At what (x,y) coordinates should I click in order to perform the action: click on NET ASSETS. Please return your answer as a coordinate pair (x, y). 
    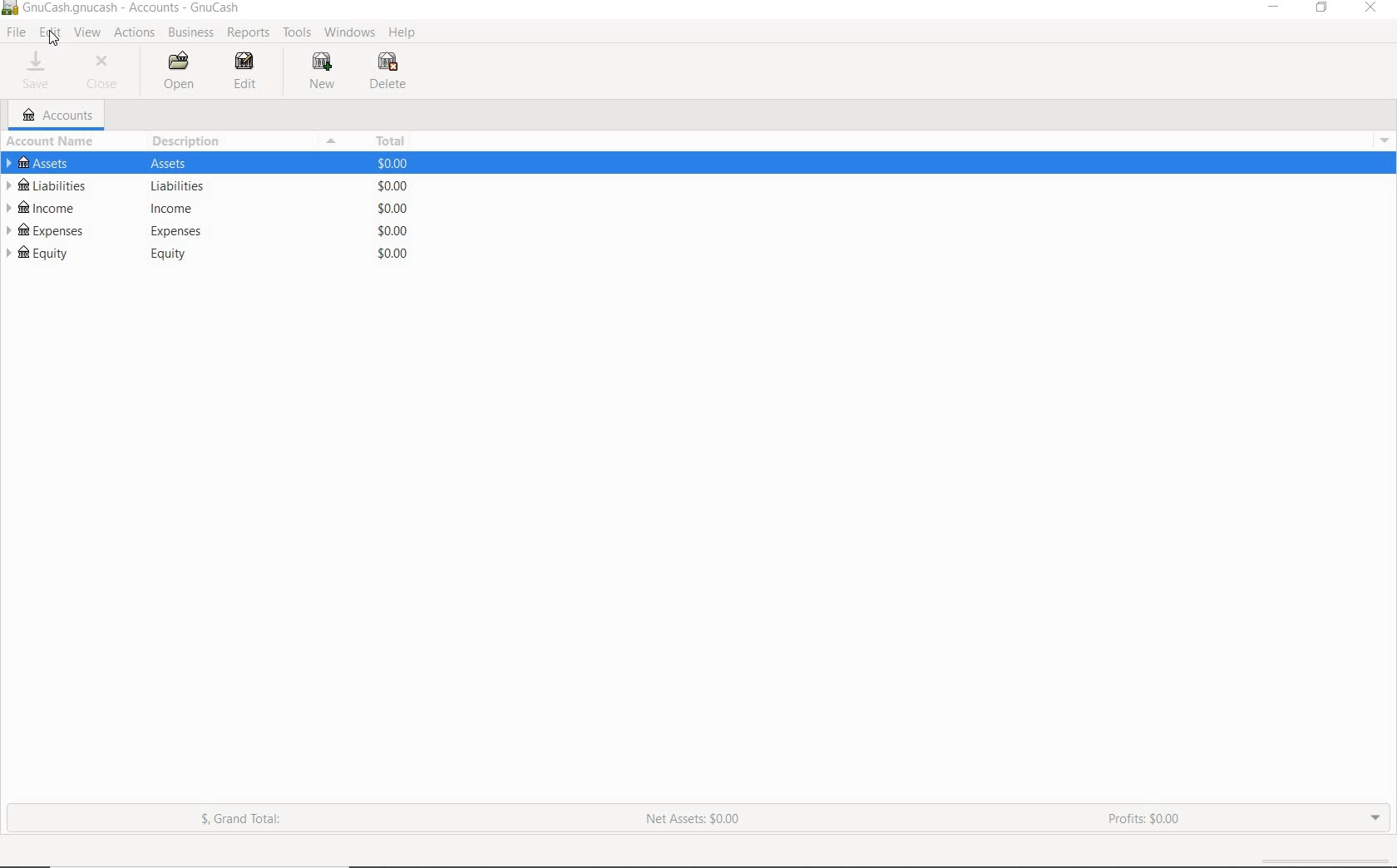
    Looking at the image, I should click on (694, 819).